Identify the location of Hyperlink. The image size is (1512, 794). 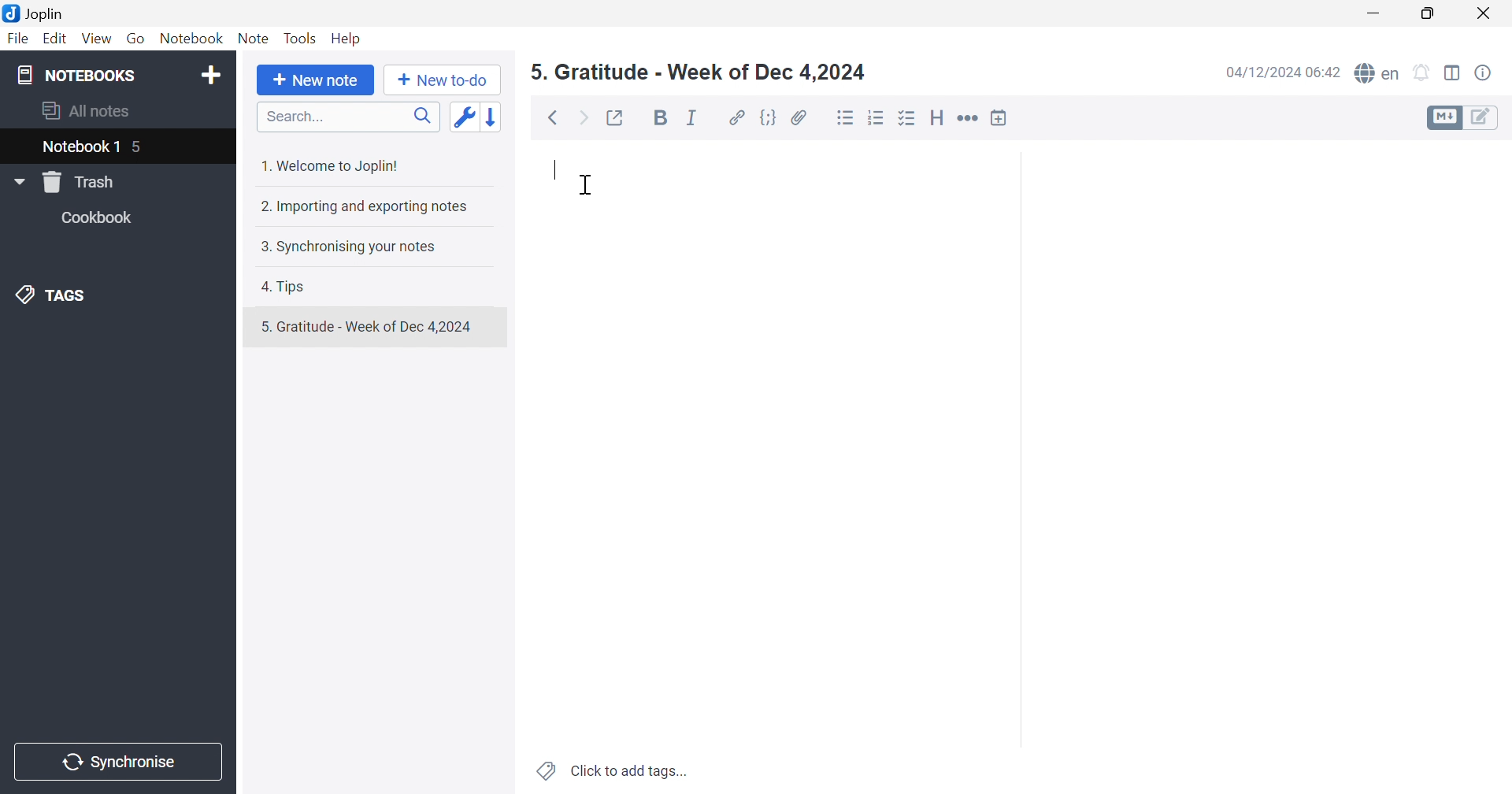
(736, 117).